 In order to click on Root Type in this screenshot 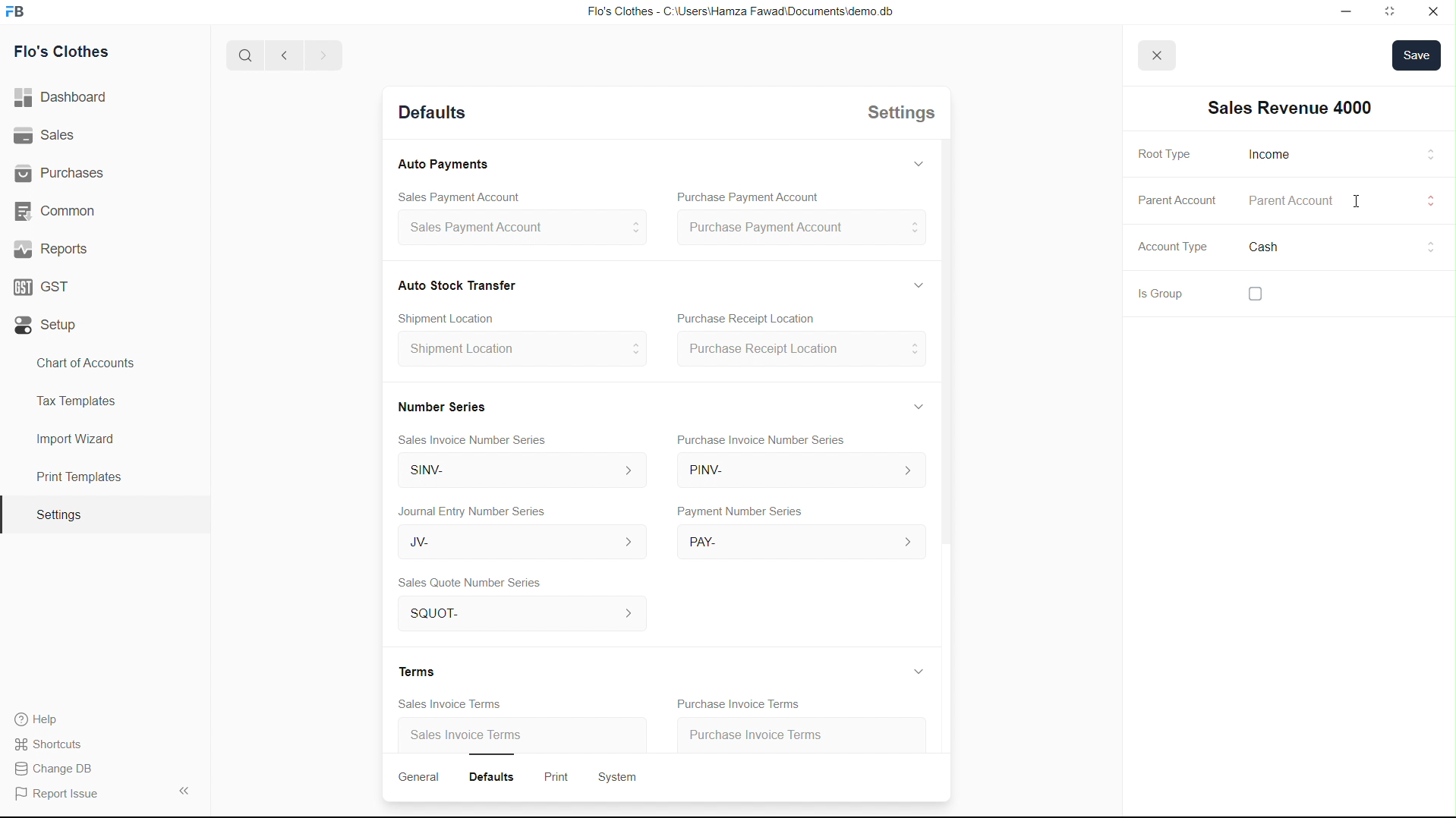, I will do `click(1267, 154)`.